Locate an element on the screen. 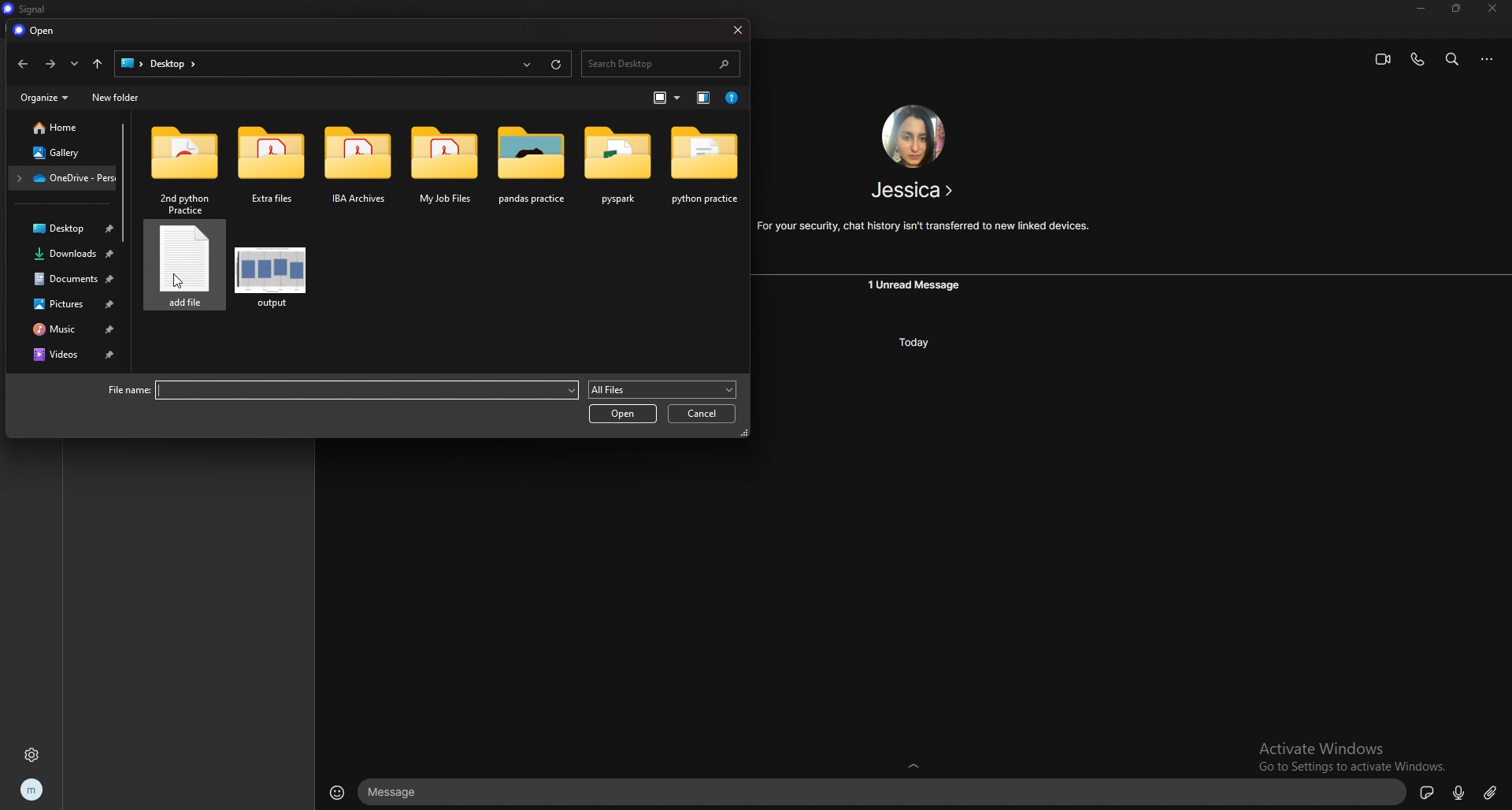 The width and height of the screenshot is (1512, 810). settings is located at coordinates (31, 755).